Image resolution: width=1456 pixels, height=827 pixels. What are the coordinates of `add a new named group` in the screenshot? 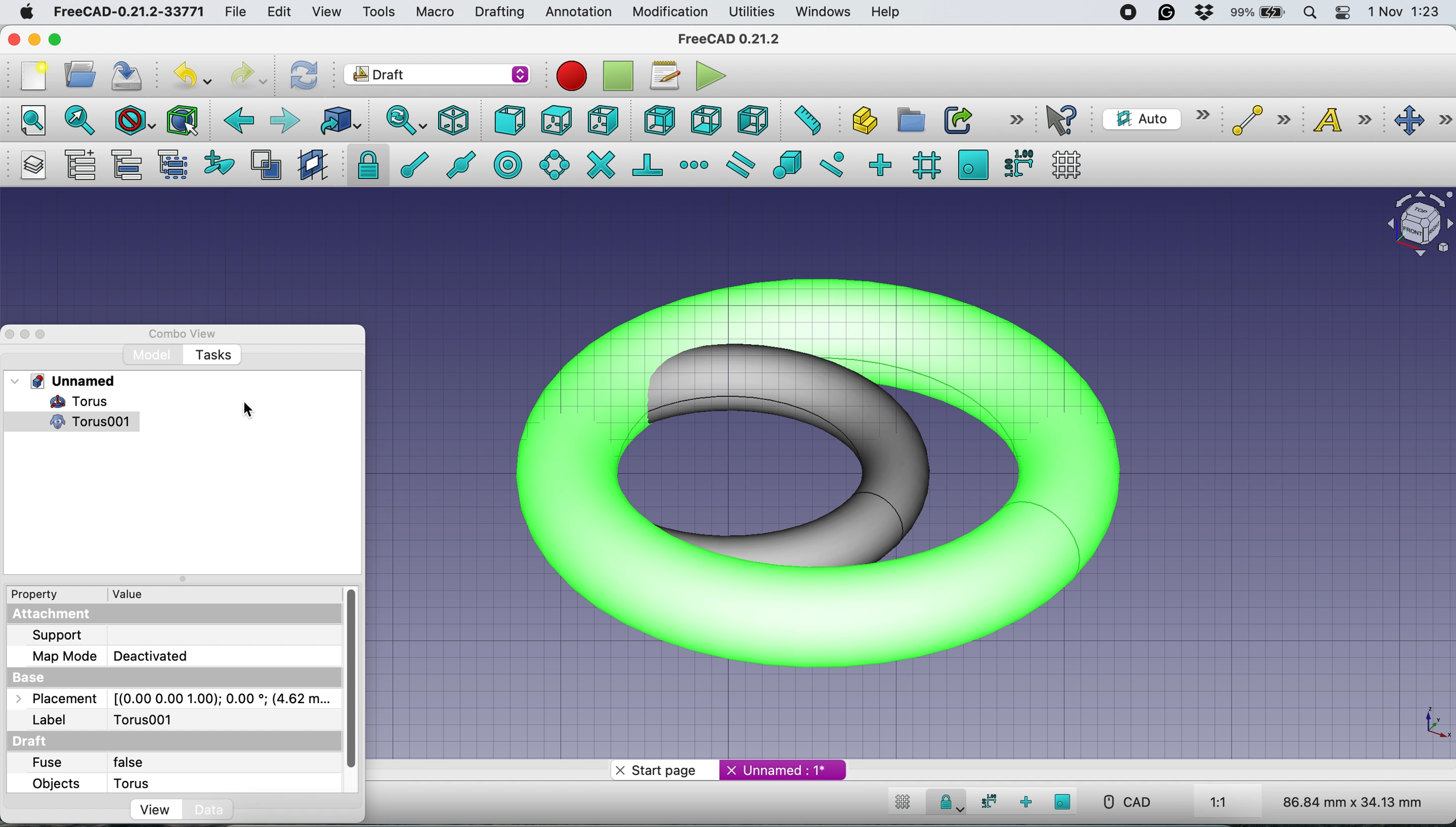 It's located at (81, 164).